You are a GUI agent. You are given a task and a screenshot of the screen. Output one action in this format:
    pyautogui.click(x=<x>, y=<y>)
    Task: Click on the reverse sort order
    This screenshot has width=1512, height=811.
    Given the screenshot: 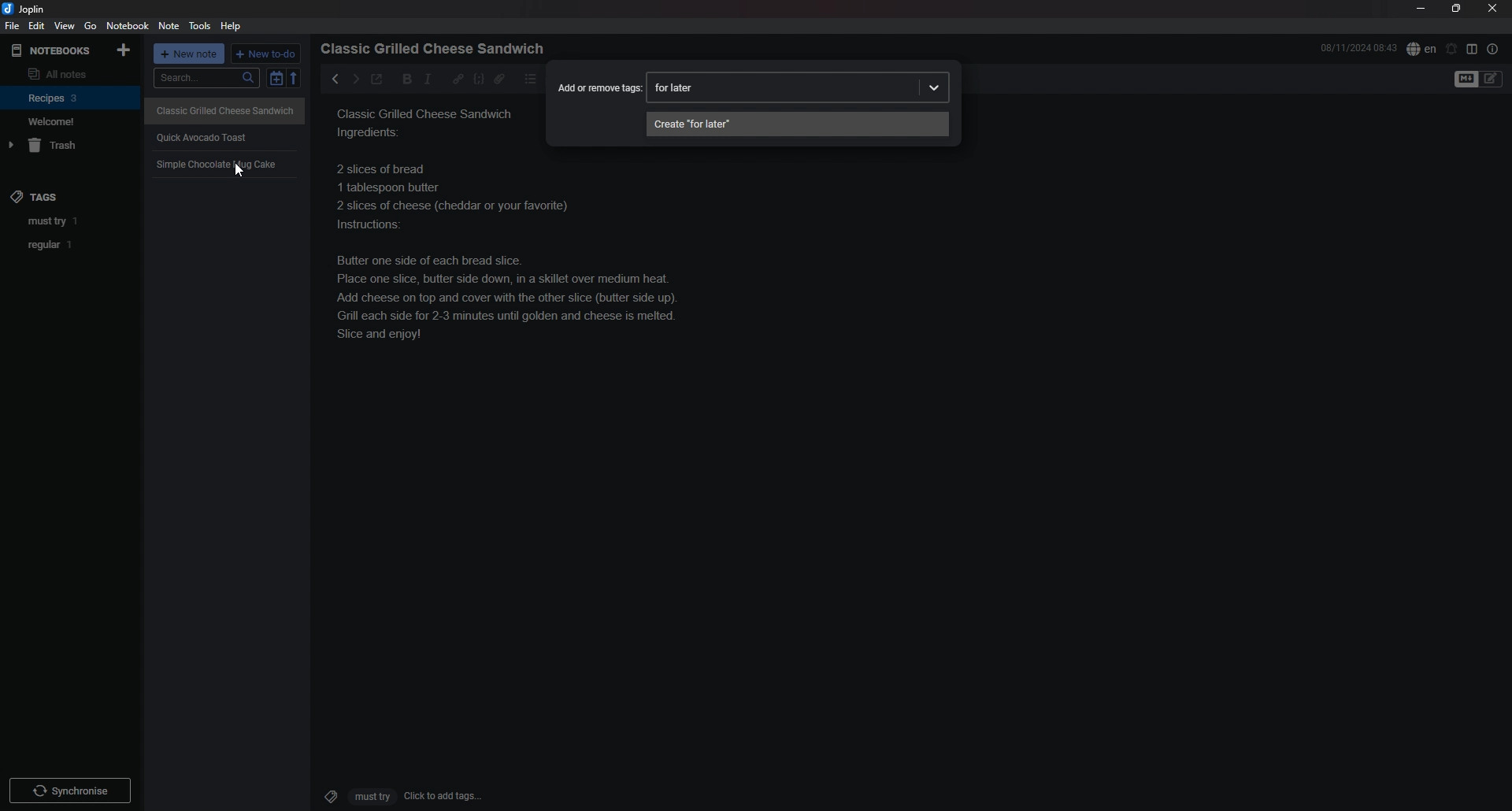 What is the action you would take?
    pyautogui.click(x=297, y=79)
    